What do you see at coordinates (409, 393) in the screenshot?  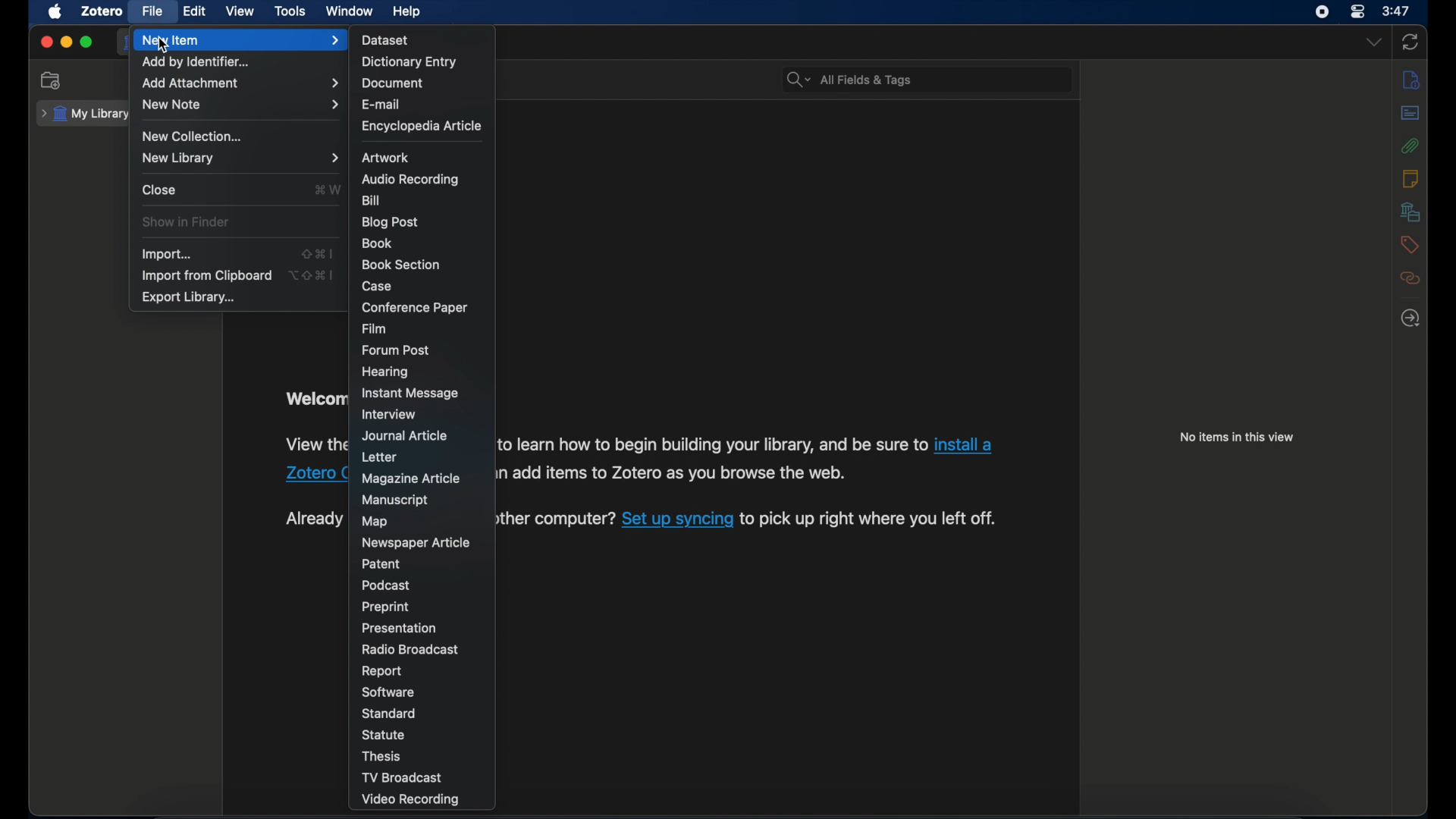 I see `instant message` at bounding box center [409, 393].